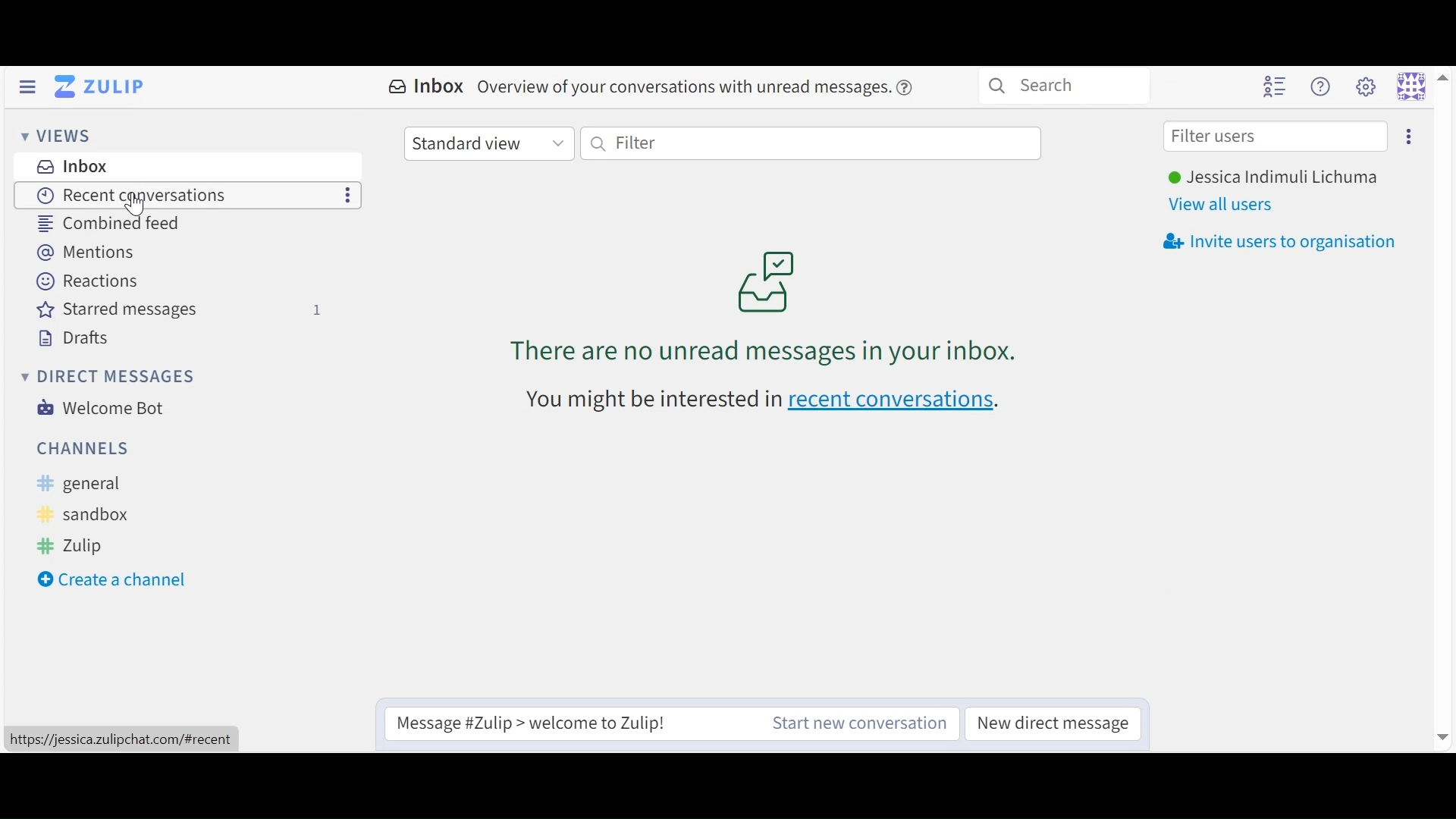 This screenshot has height=819, width=1456. I want to click on Views, so click(55, 135).